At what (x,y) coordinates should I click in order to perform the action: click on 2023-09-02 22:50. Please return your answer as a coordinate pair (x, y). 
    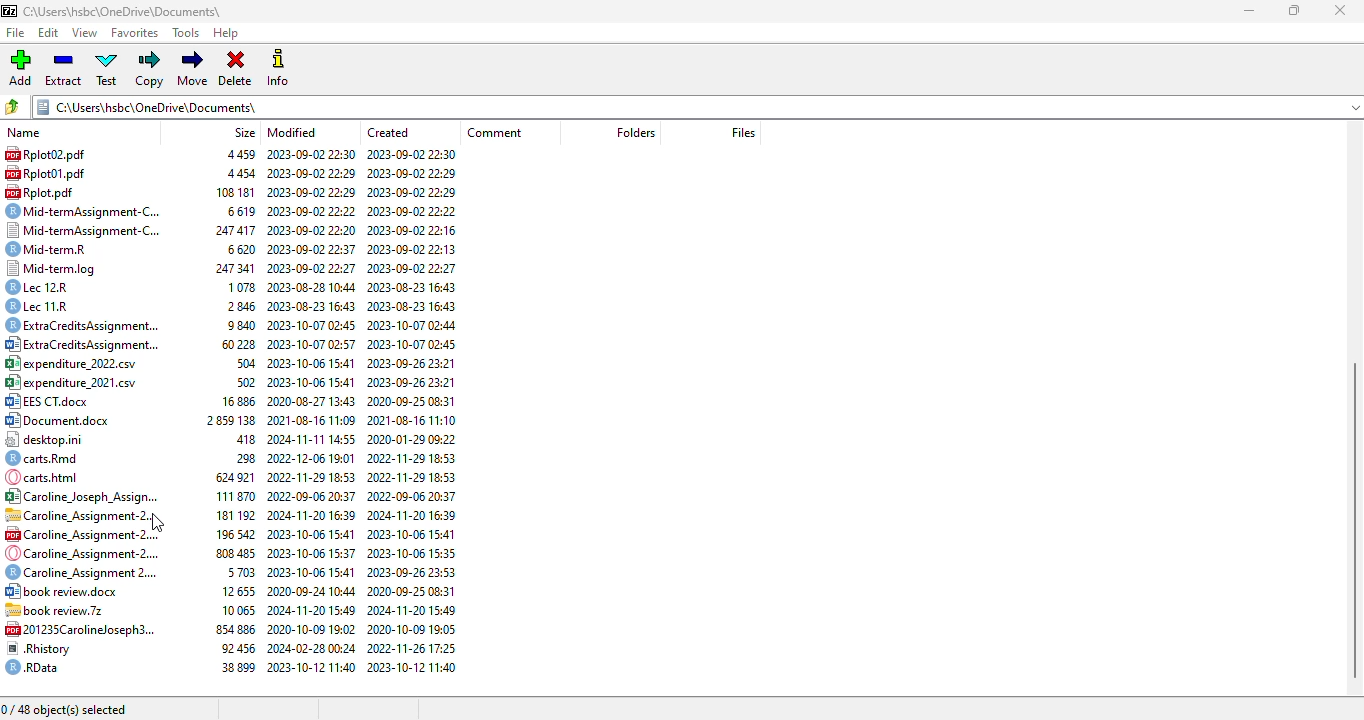
    Looking at the image, I should click on (310, 154).